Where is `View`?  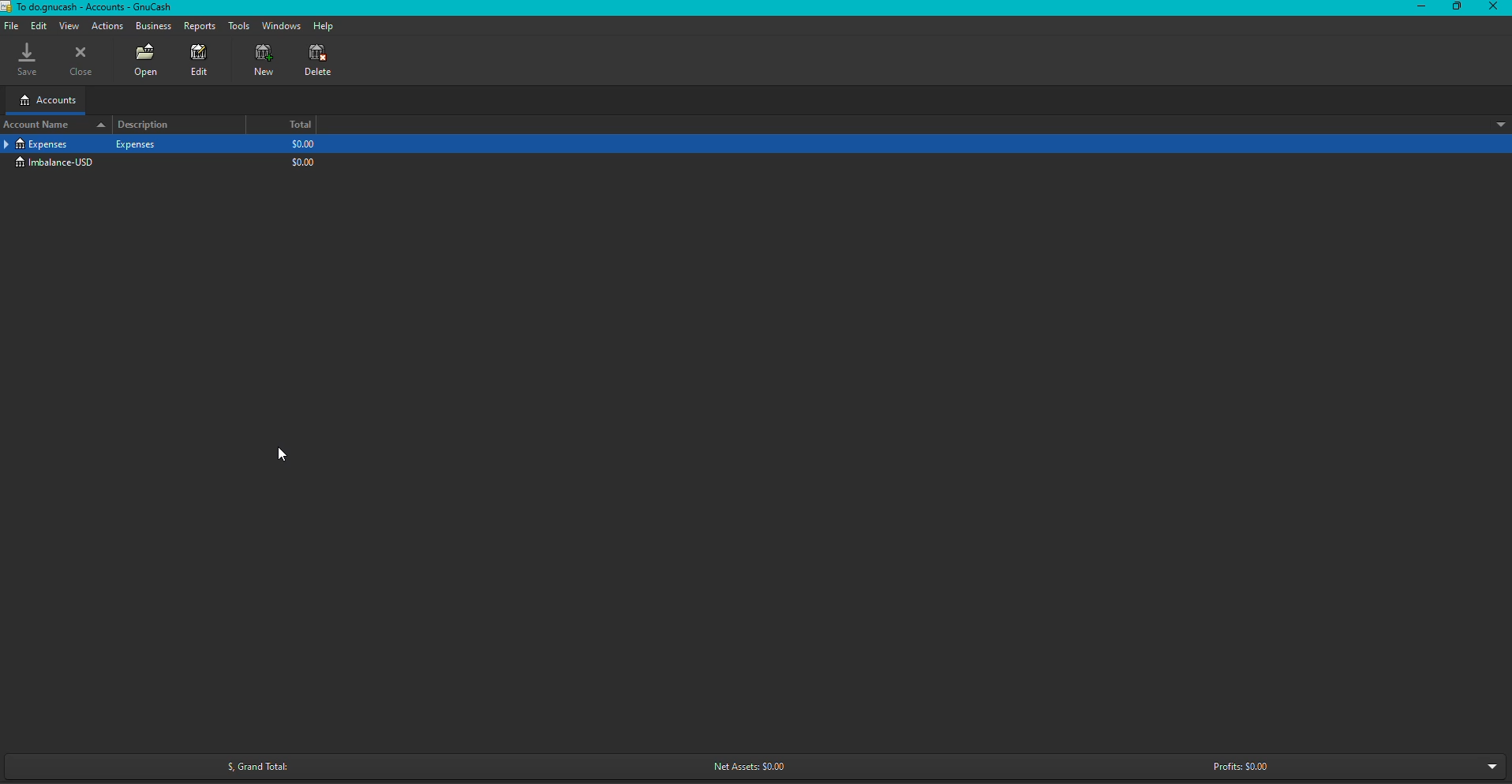 View is located at coordinates (69, 25).